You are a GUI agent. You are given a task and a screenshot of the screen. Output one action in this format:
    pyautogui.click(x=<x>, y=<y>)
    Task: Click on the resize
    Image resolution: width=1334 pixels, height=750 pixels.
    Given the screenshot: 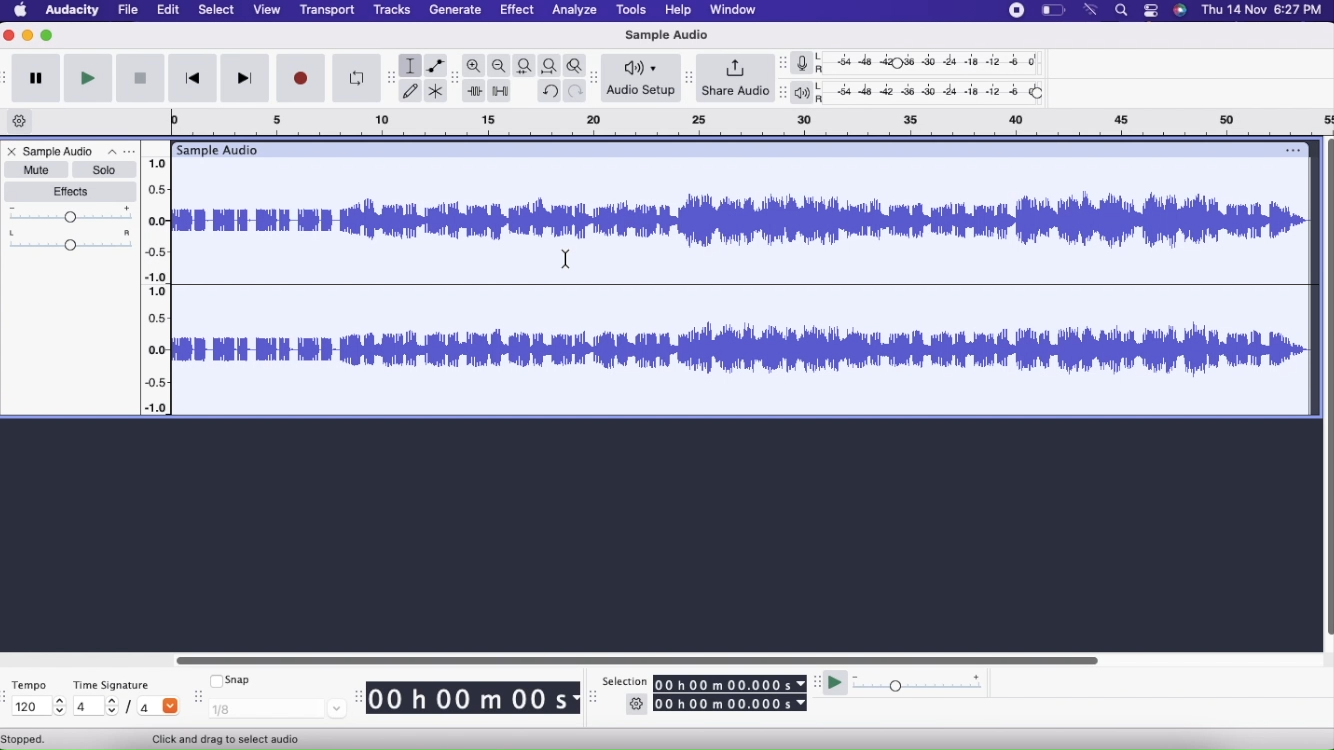 What is the action you would take?
    pyautogui.click(x=596, y=78)
    